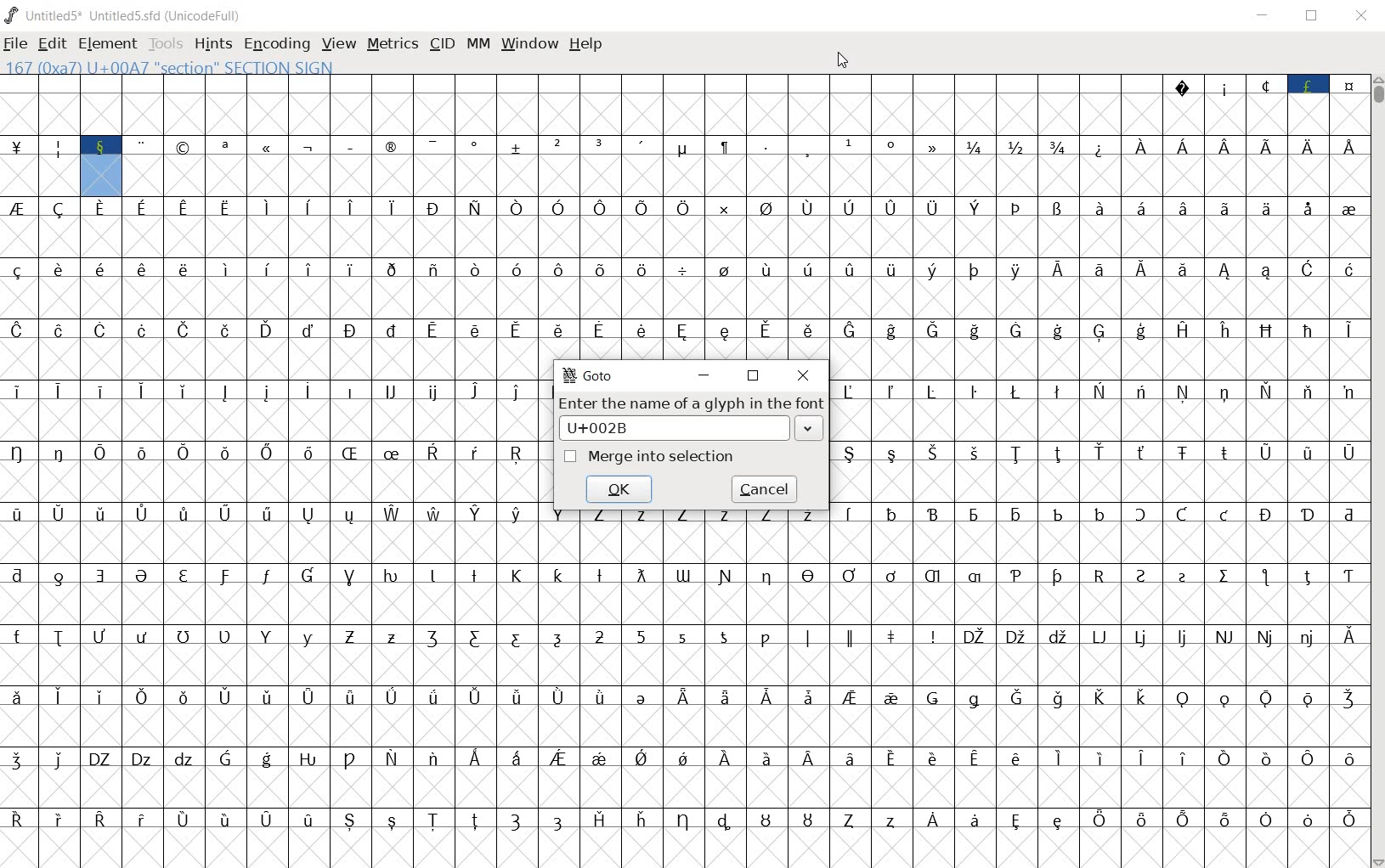 The height and width of the screenshot is (868, 1385). What do you see at coordinates (1099, 166) in the screenshot?
I see `special characters` at bounding box center [1099, 166].